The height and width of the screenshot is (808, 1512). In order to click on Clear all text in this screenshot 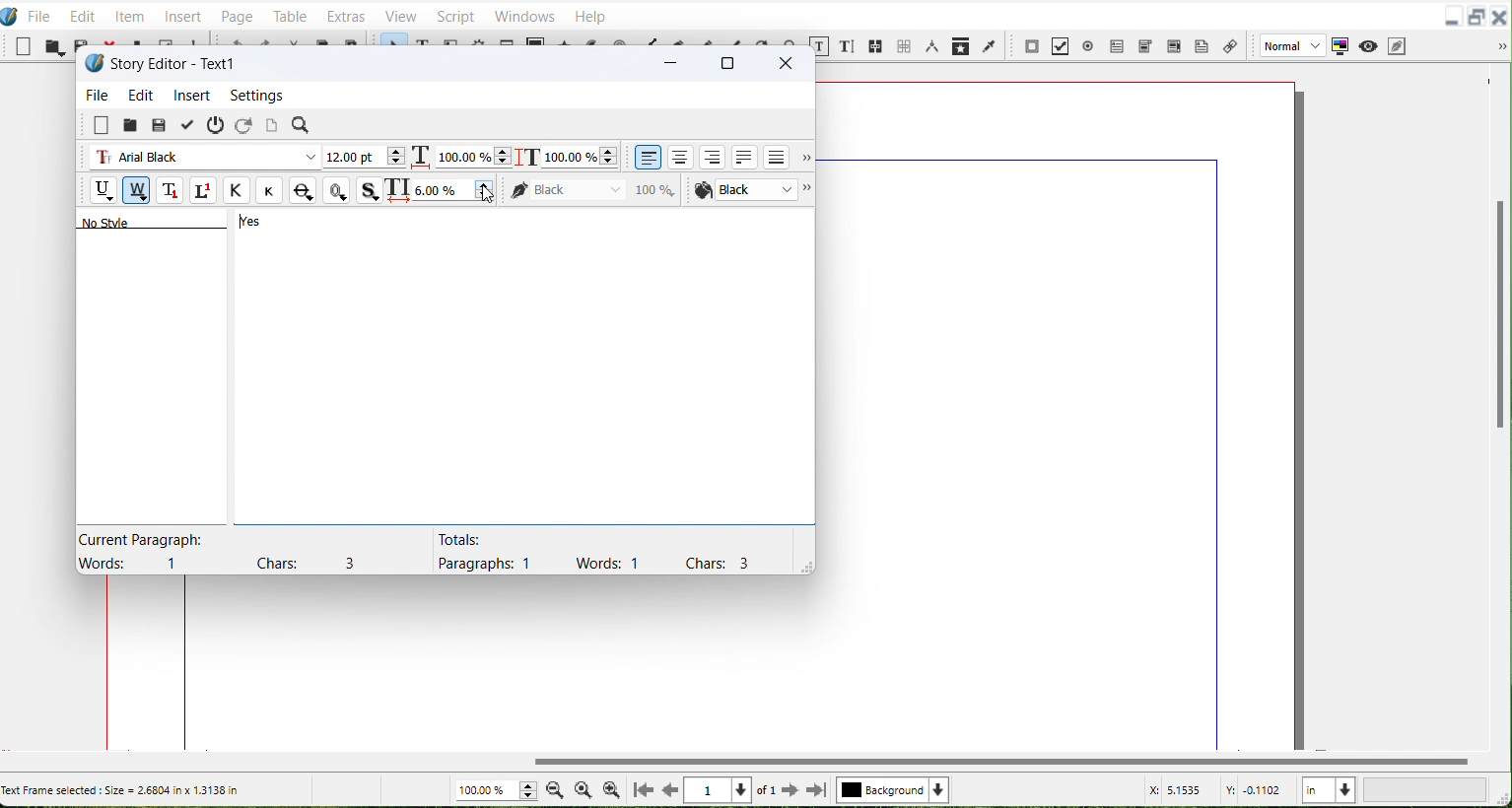, I will do `click(102, 125)`.